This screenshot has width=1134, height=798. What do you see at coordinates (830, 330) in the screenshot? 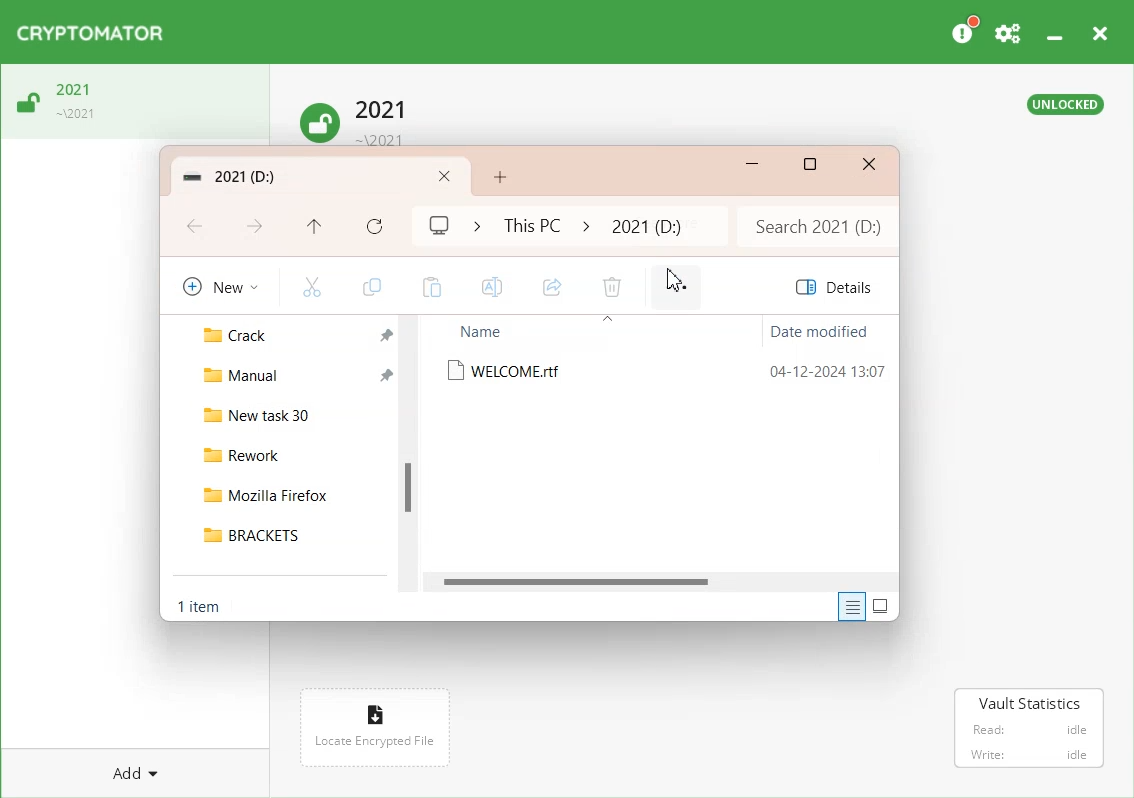
I see `Date modified` at bounding box center [830, 330].